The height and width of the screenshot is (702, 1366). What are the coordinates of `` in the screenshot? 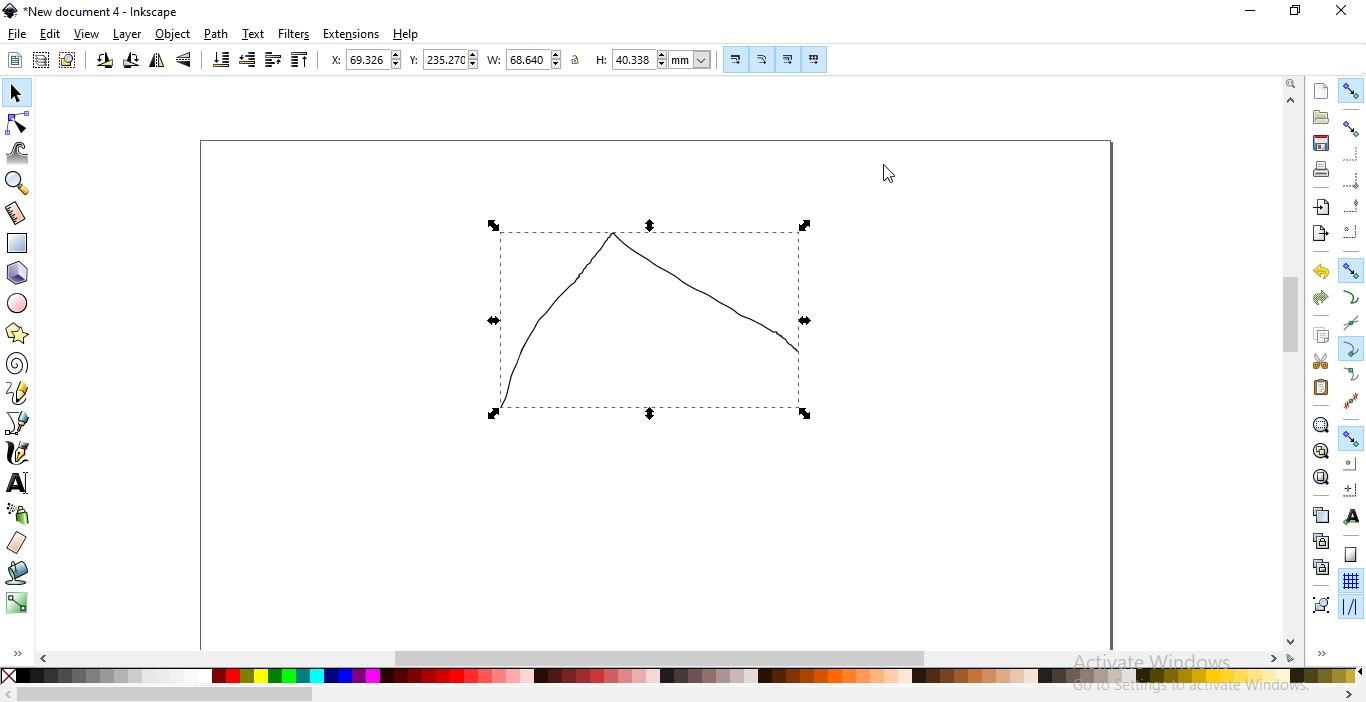 It's located at (1351, 180).